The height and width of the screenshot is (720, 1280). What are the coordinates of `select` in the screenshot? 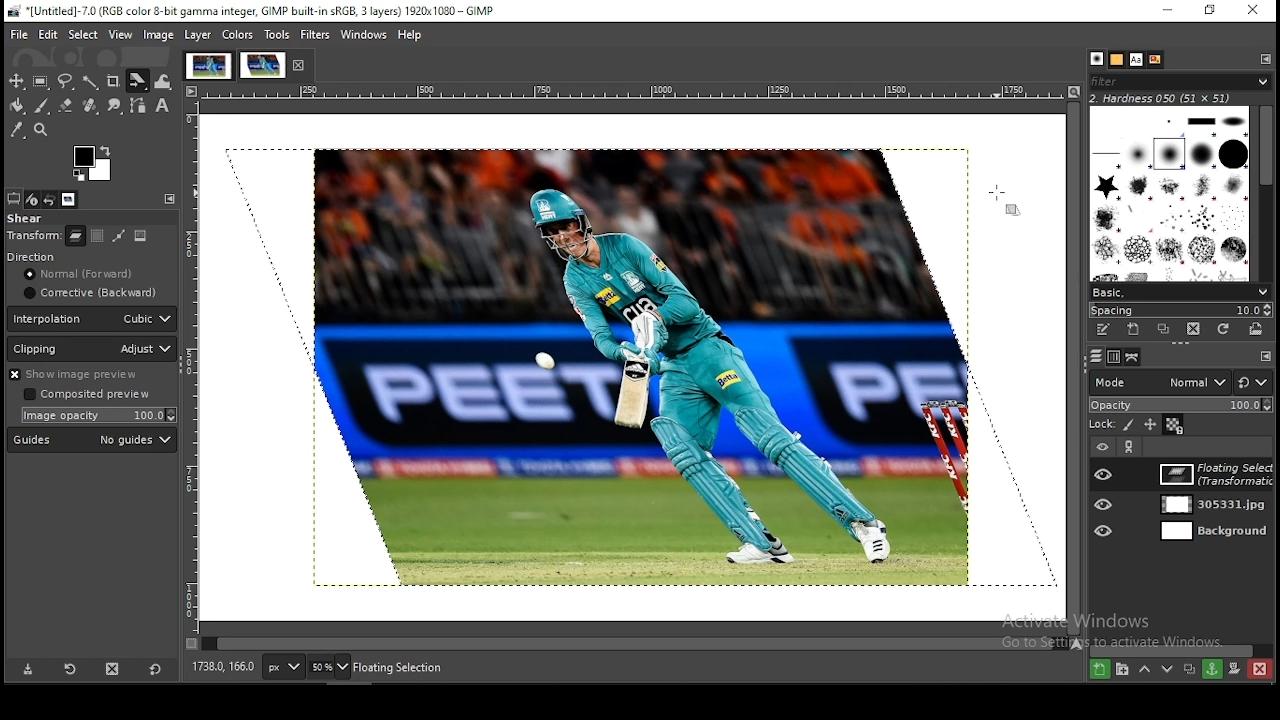 It's located at (83, 33).